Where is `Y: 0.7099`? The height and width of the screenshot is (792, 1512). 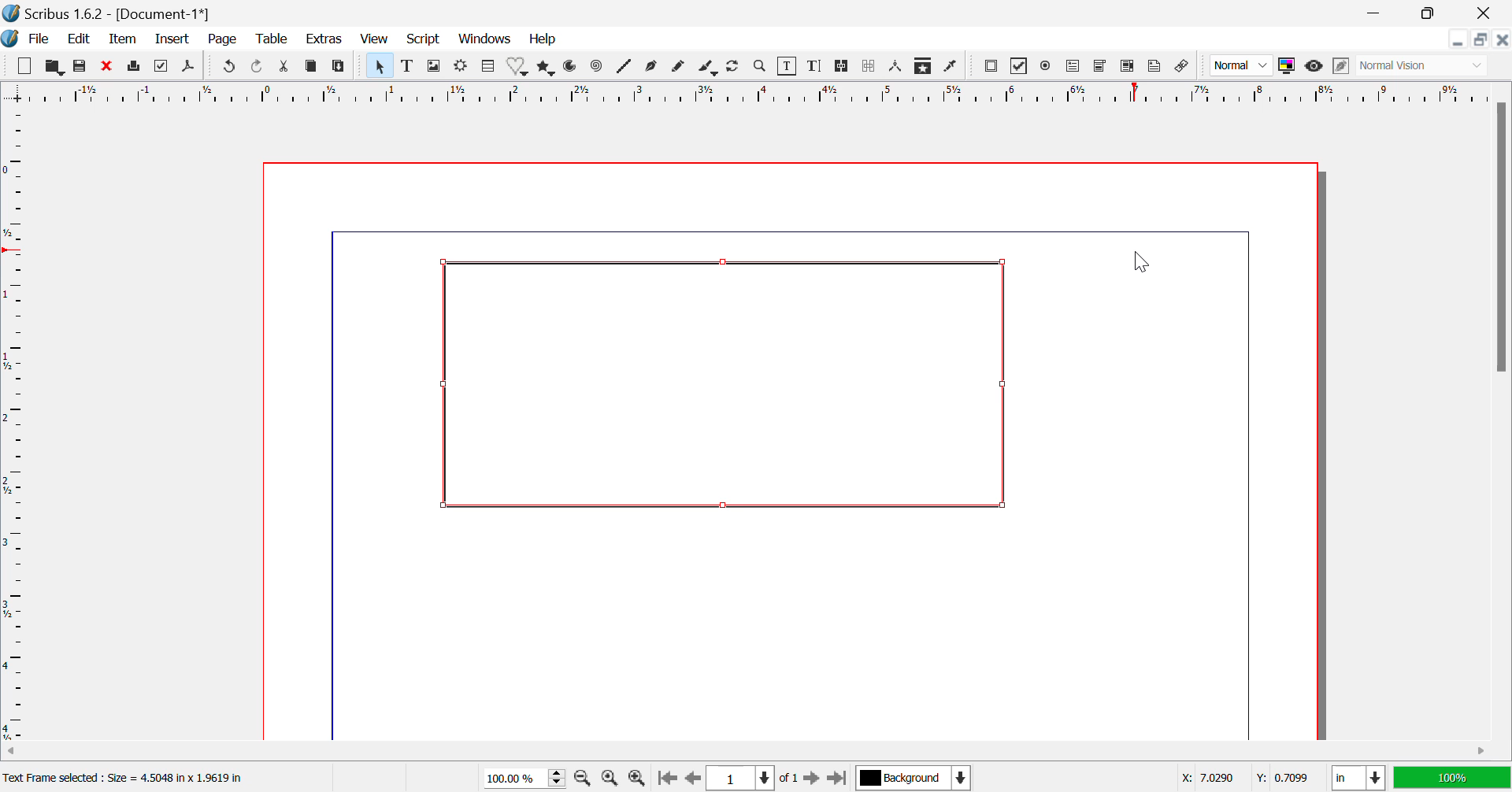 Y: 0.7099 is located at coordinates (1284, 777).